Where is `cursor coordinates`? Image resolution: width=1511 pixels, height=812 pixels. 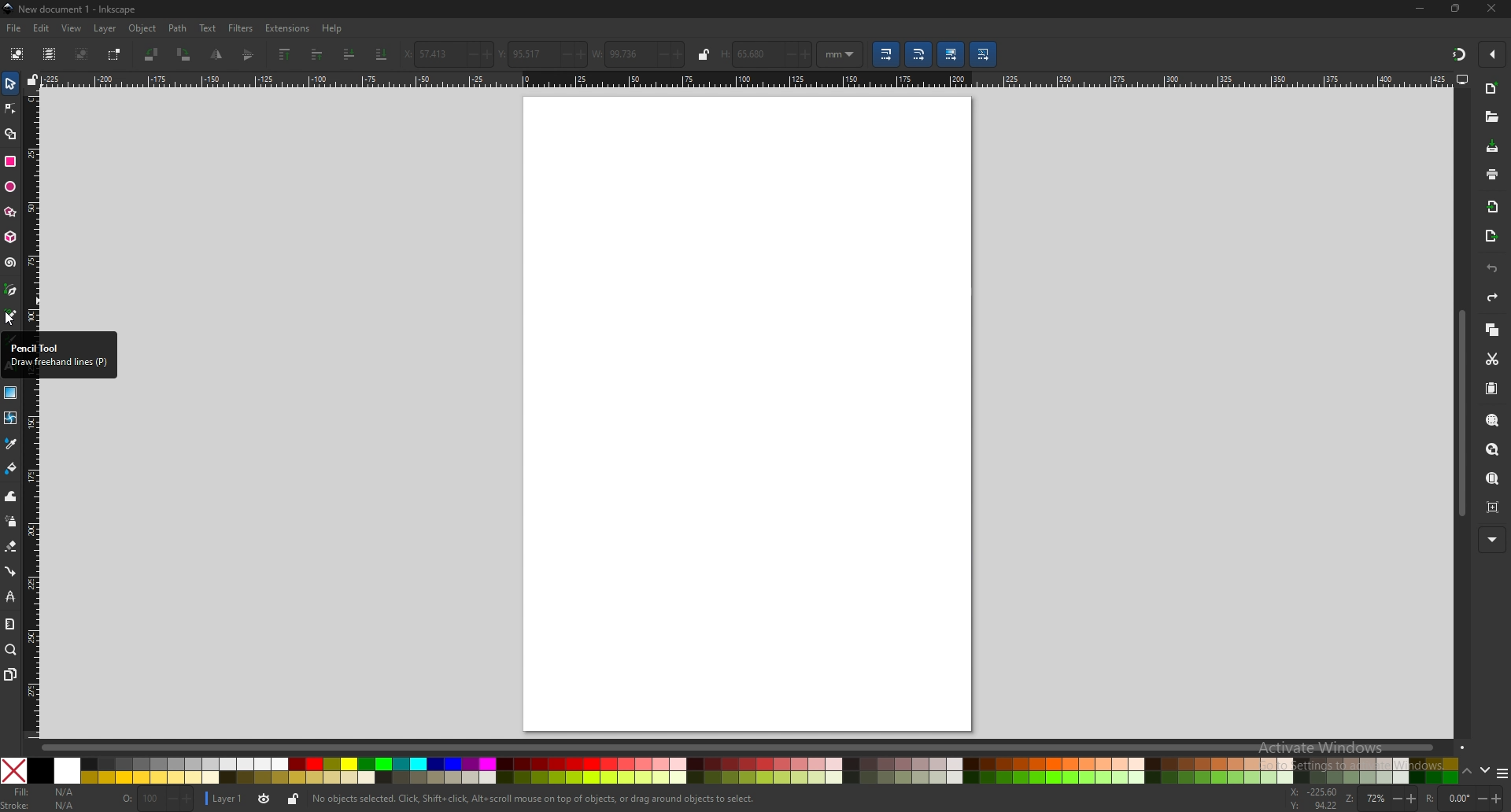 cursor coordinates is located at coordinates (1315, 798).